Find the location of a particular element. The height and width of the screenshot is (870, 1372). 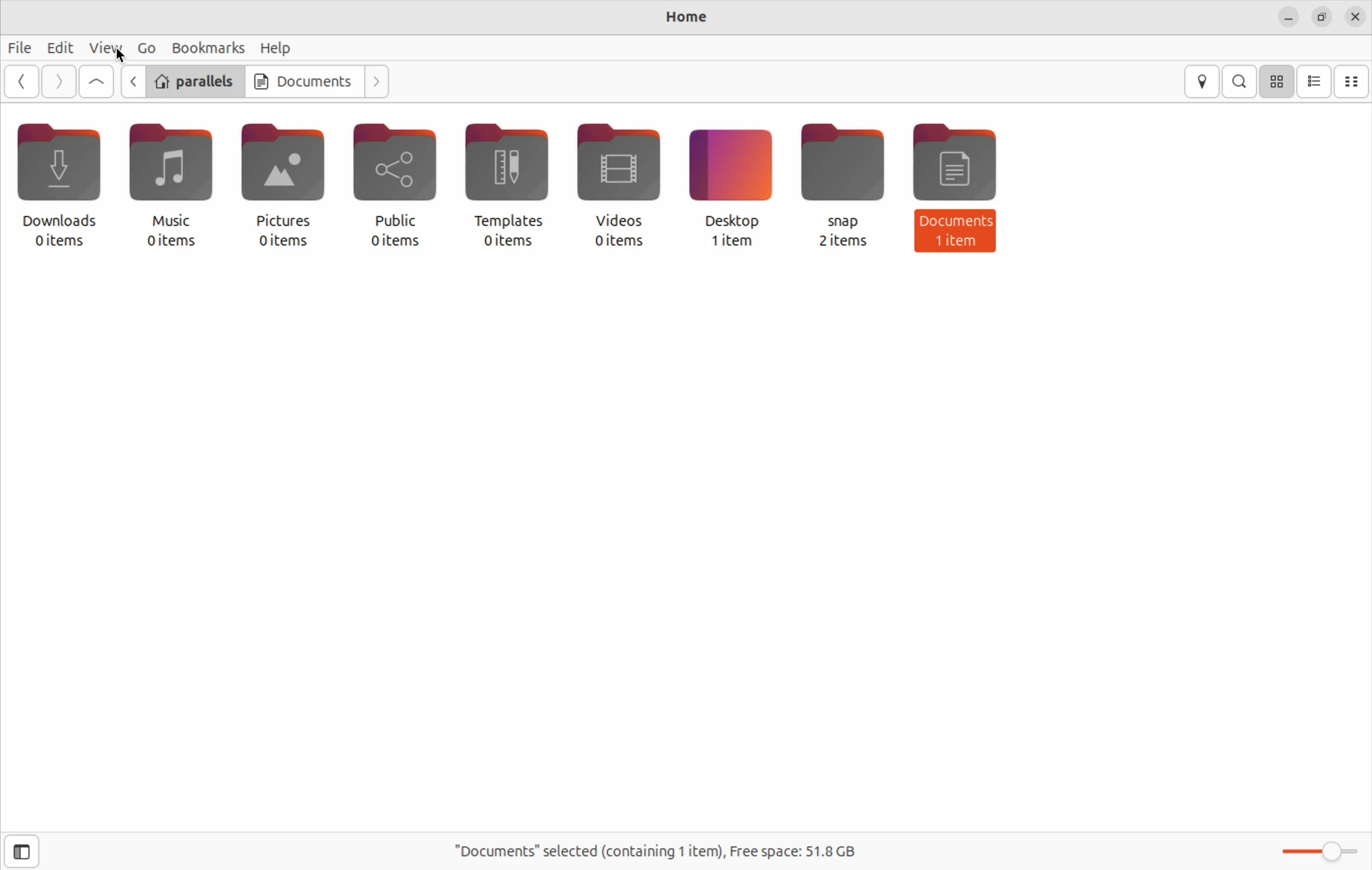

Zoom is located at coordinates (1319, 851).